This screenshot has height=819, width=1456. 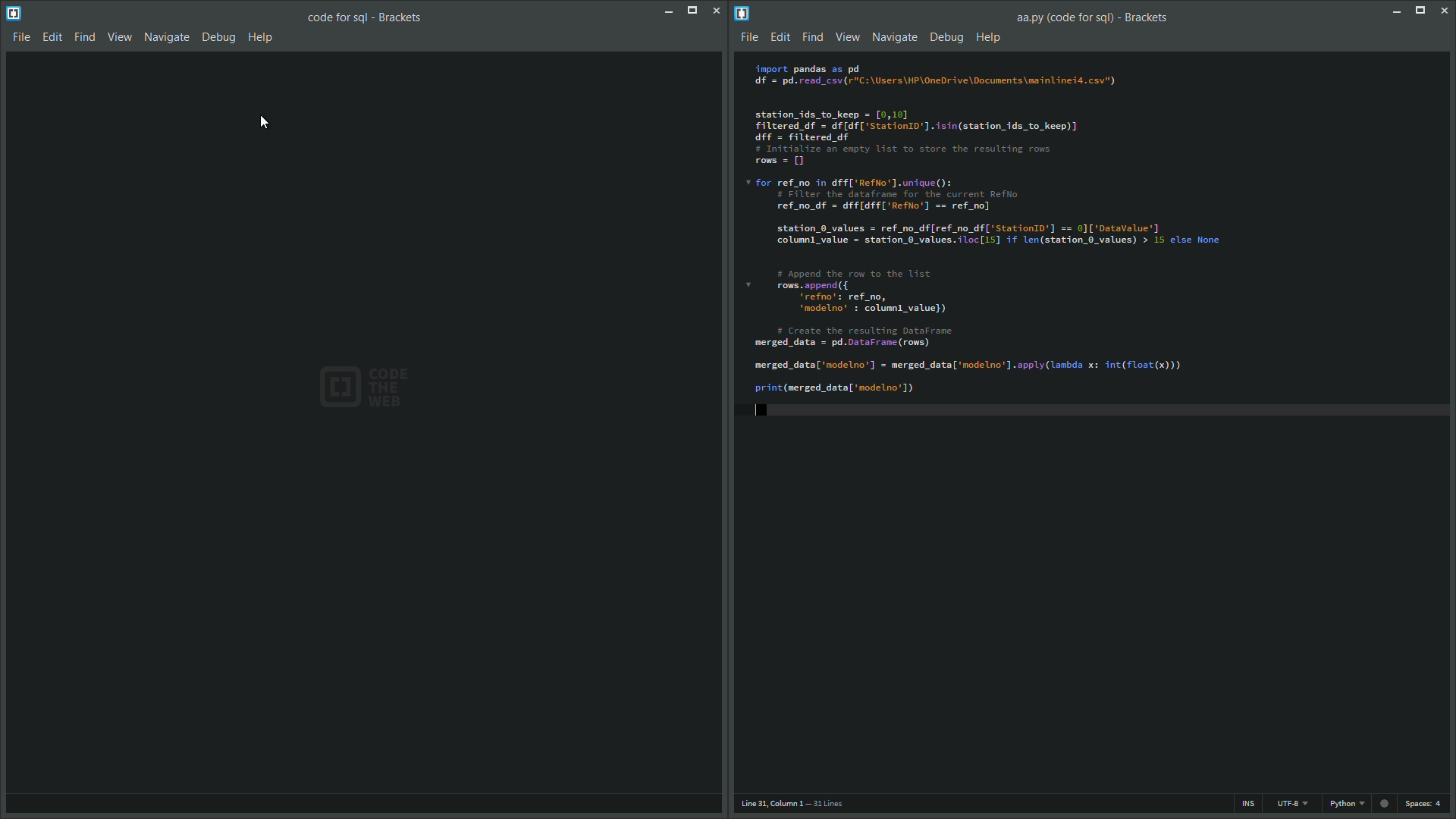 What do you see at coordinates (220, 38) in the screenshot?
I see `Debug` at bounding box center [220, 38].